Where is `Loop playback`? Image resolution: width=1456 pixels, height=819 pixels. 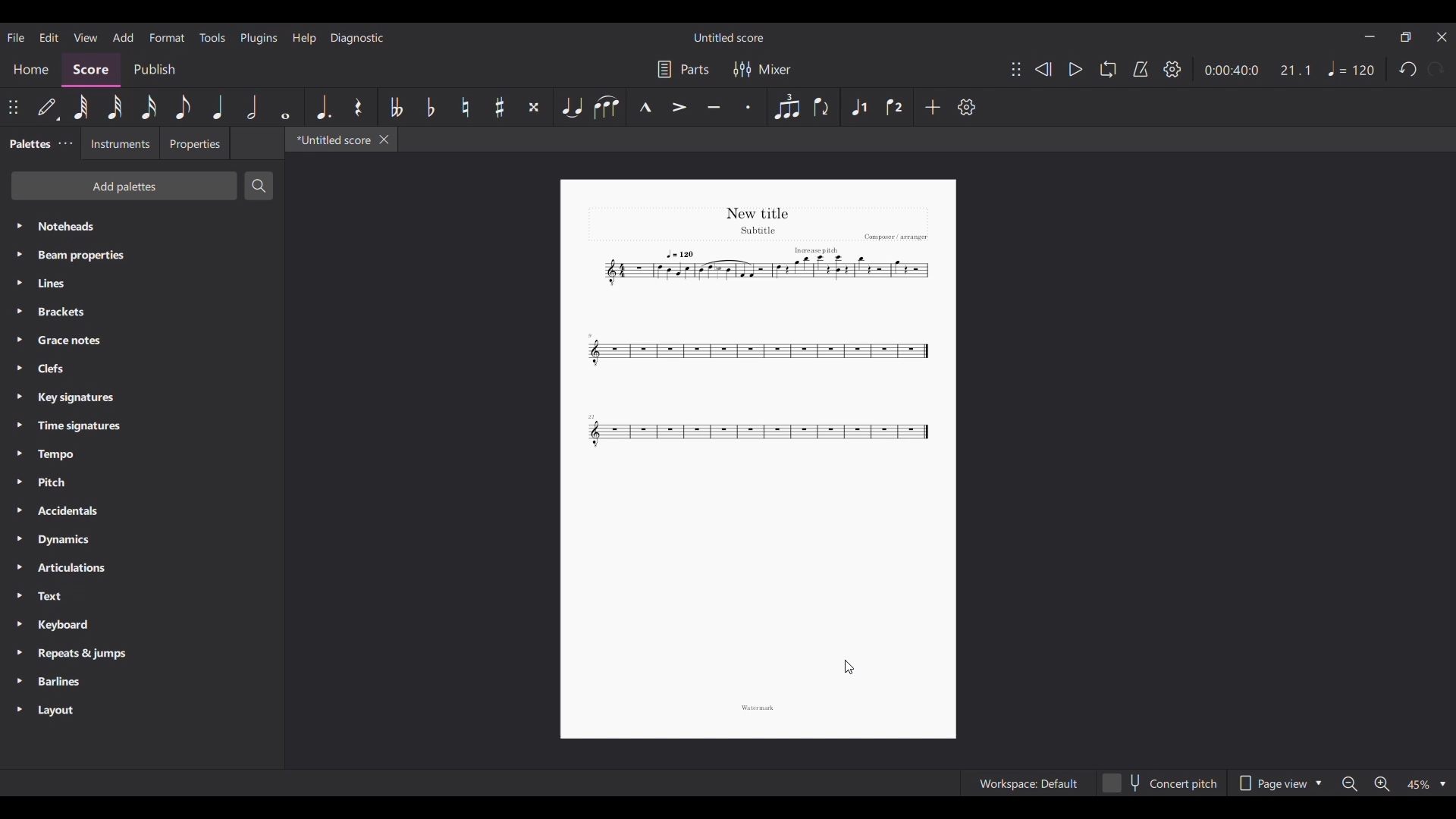
Loop playback is located at coordinates (1109, 69).